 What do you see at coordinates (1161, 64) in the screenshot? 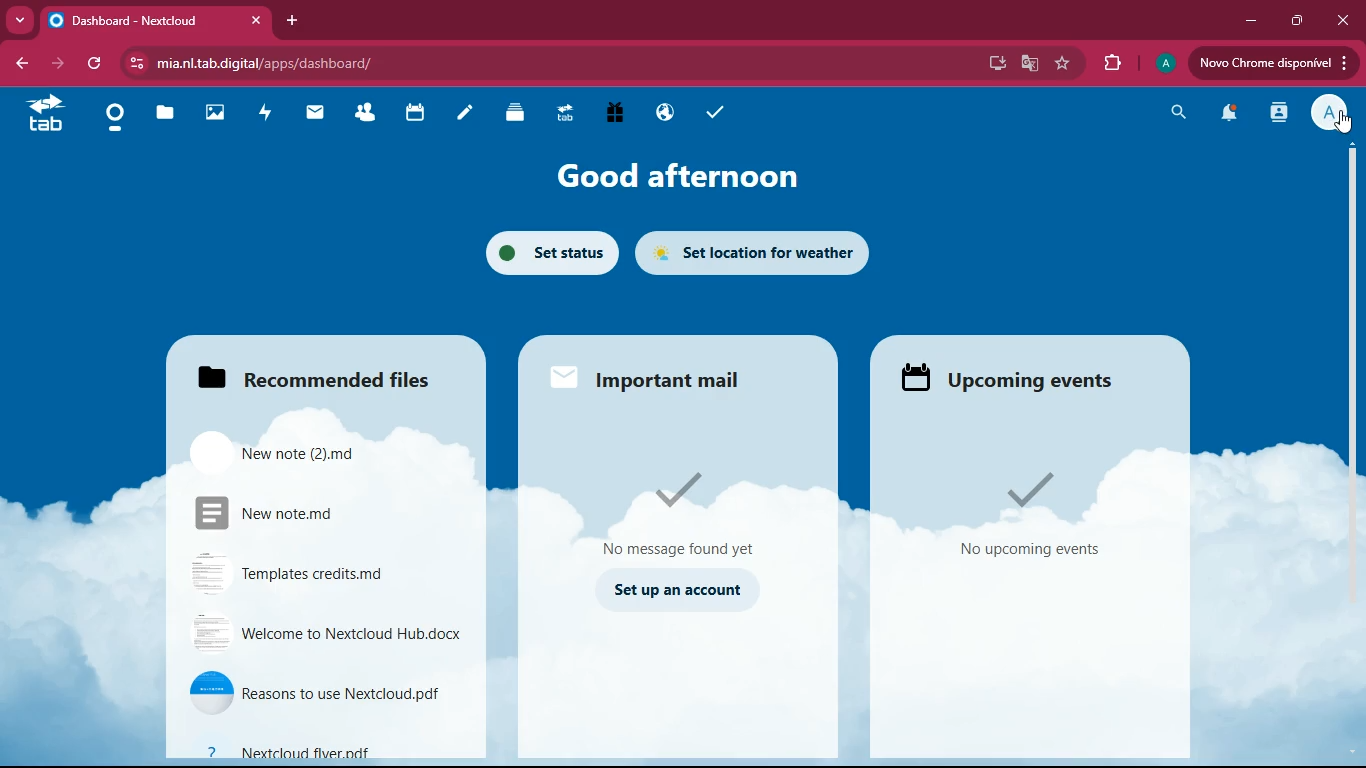
I see `profile` at bounding box center [1161, 64].